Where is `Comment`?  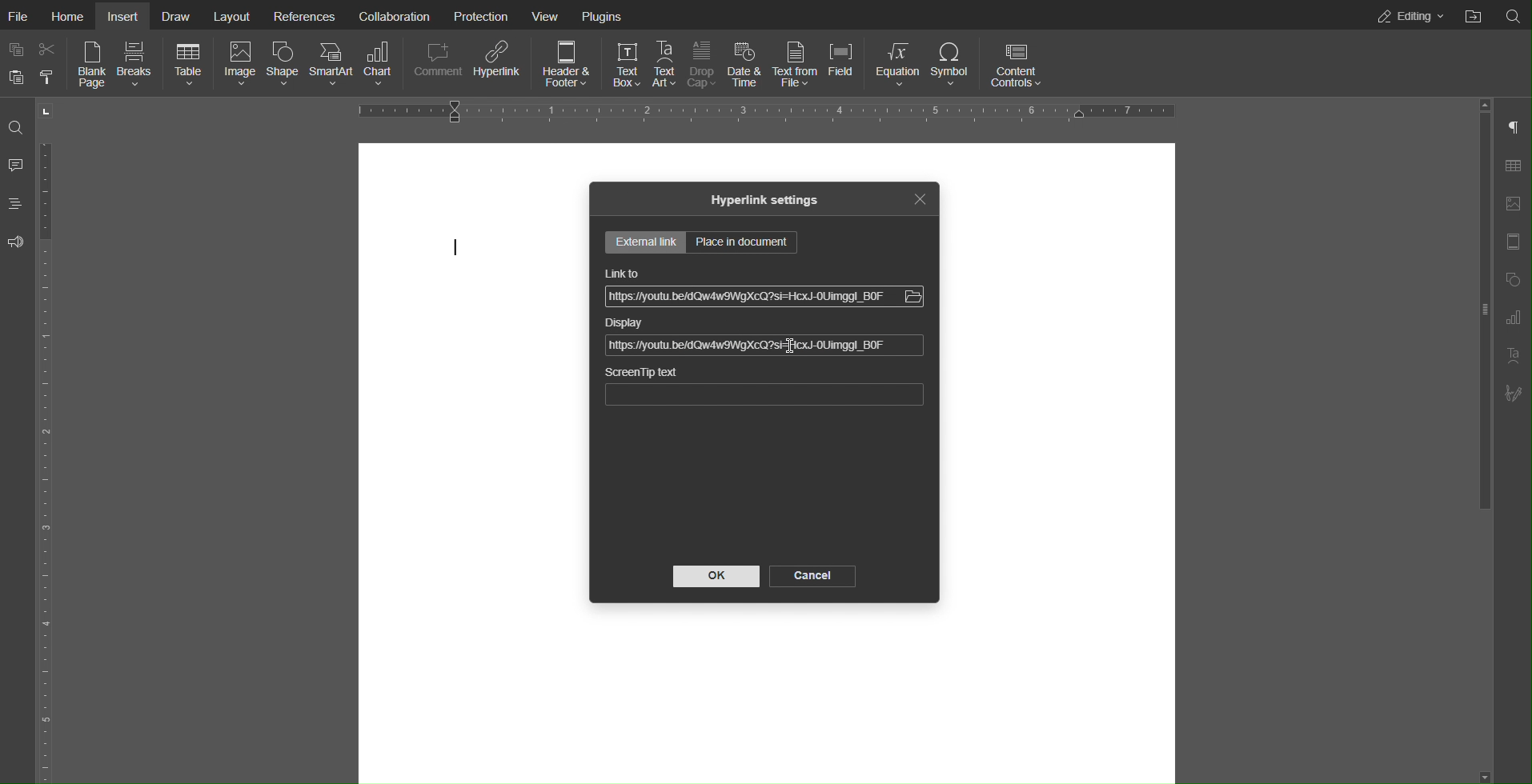 Comment is located at coordinates (15, 165).